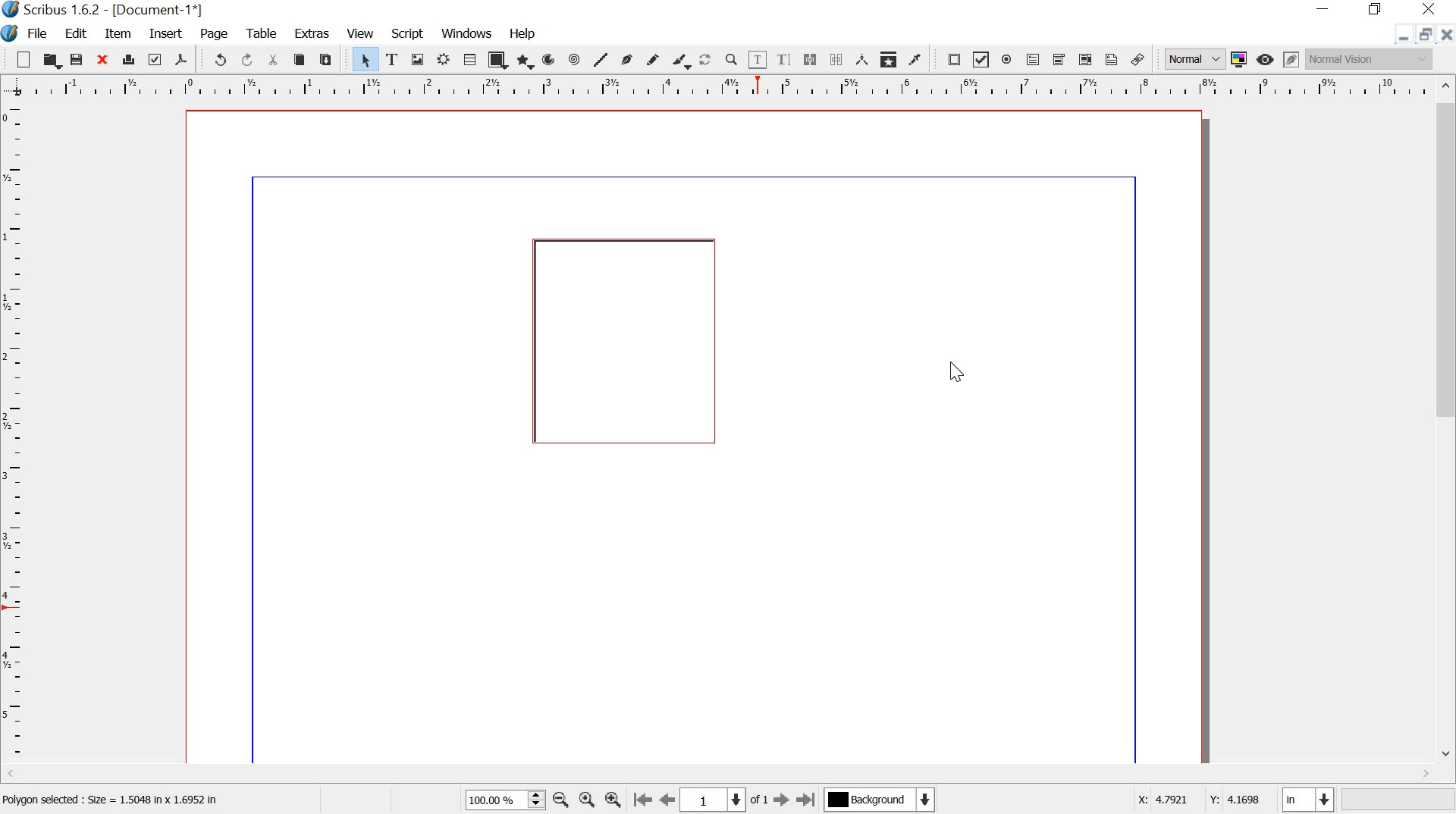 Image resolution: width=1456 pixels, height=814 pixels. What do you see at coordinates (1325, 8) in the screenshot?
I see `minimize` at bounding box center [1325, 8].